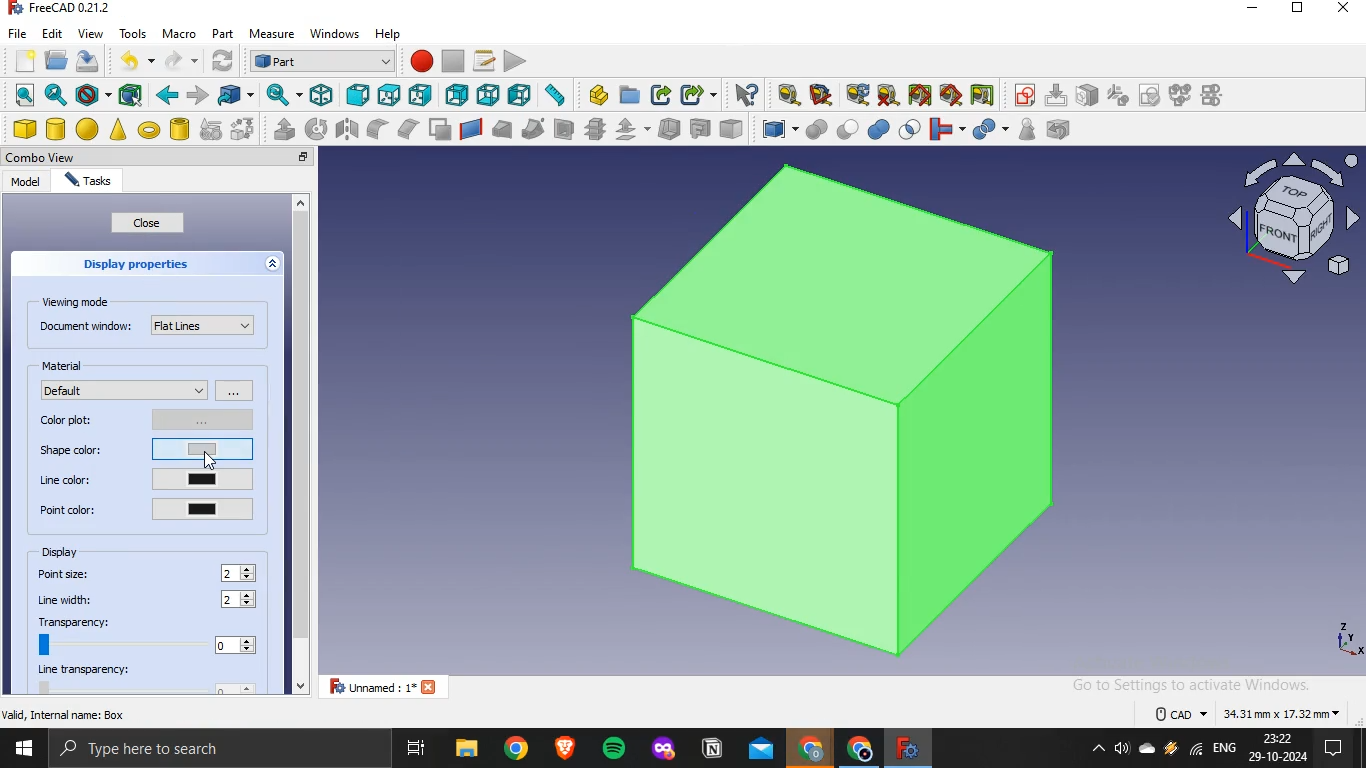  I want to click on scrollbar, so click(300, 446).